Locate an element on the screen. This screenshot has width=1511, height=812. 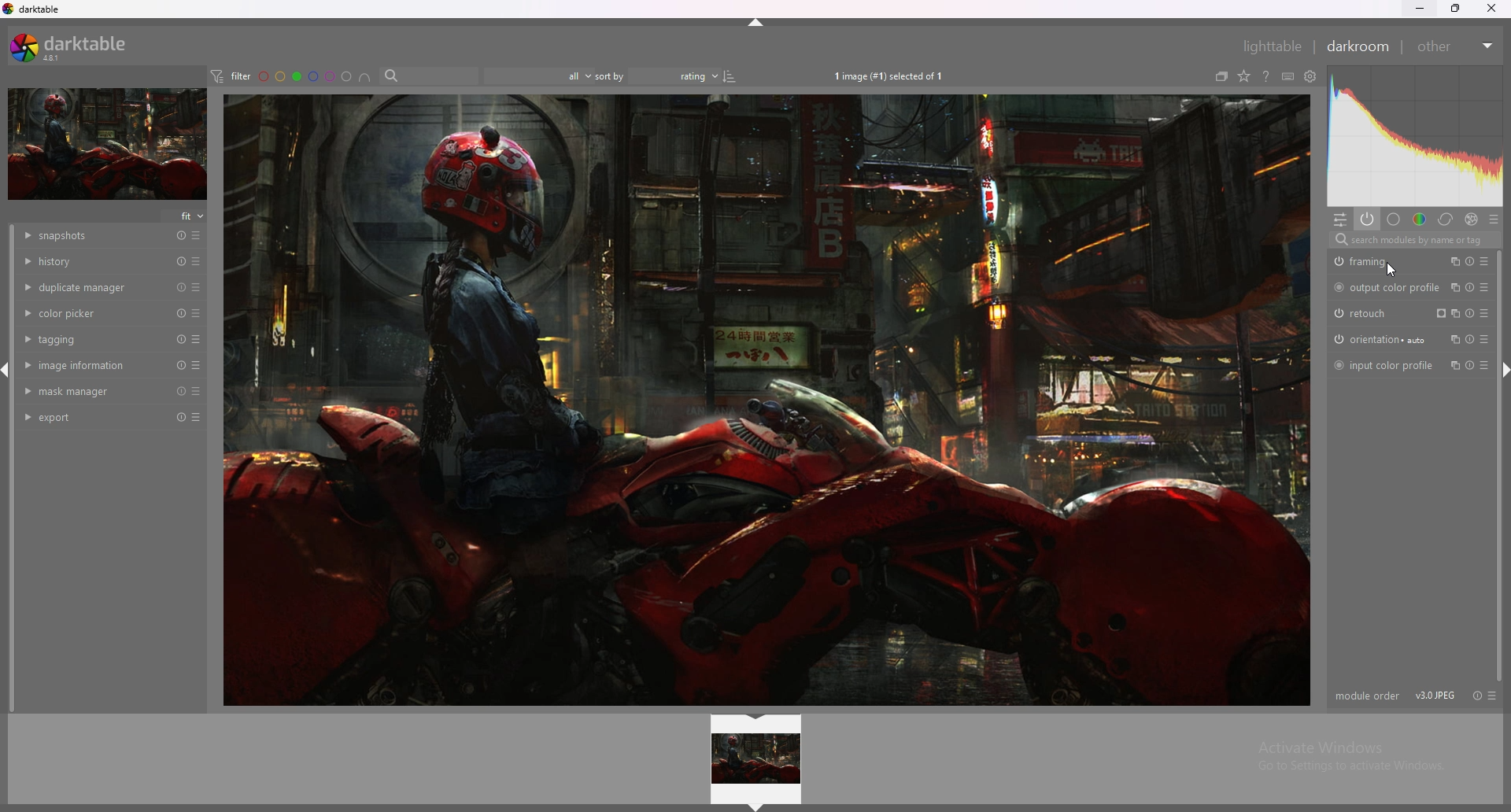
reset is located at coordinates (179, 418).